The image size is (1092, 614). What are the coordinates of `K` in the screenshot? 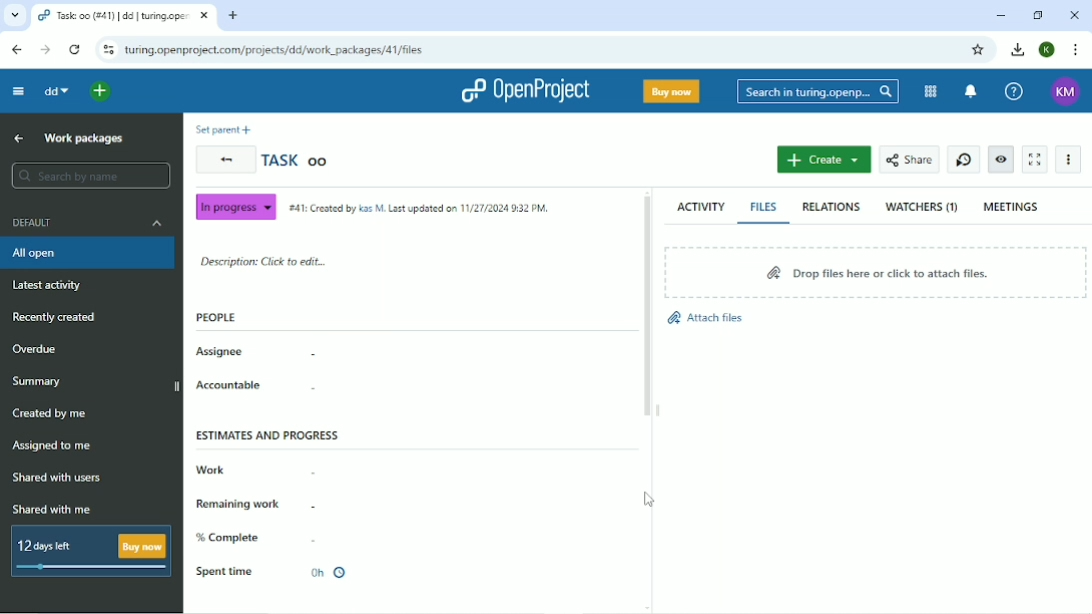 It's located at (1047, 50).